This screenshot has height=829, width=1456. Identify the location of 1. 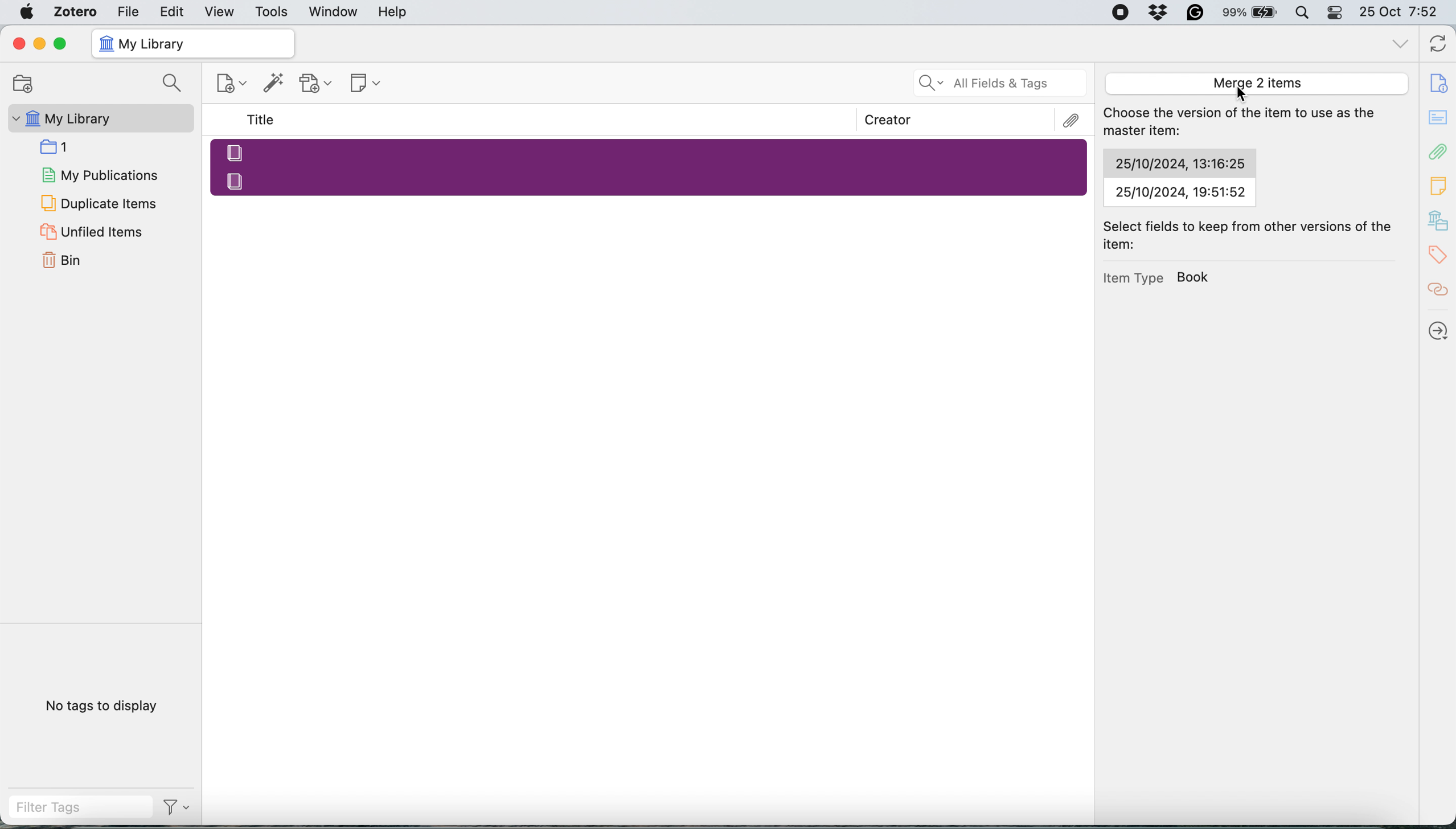
(59, 146).